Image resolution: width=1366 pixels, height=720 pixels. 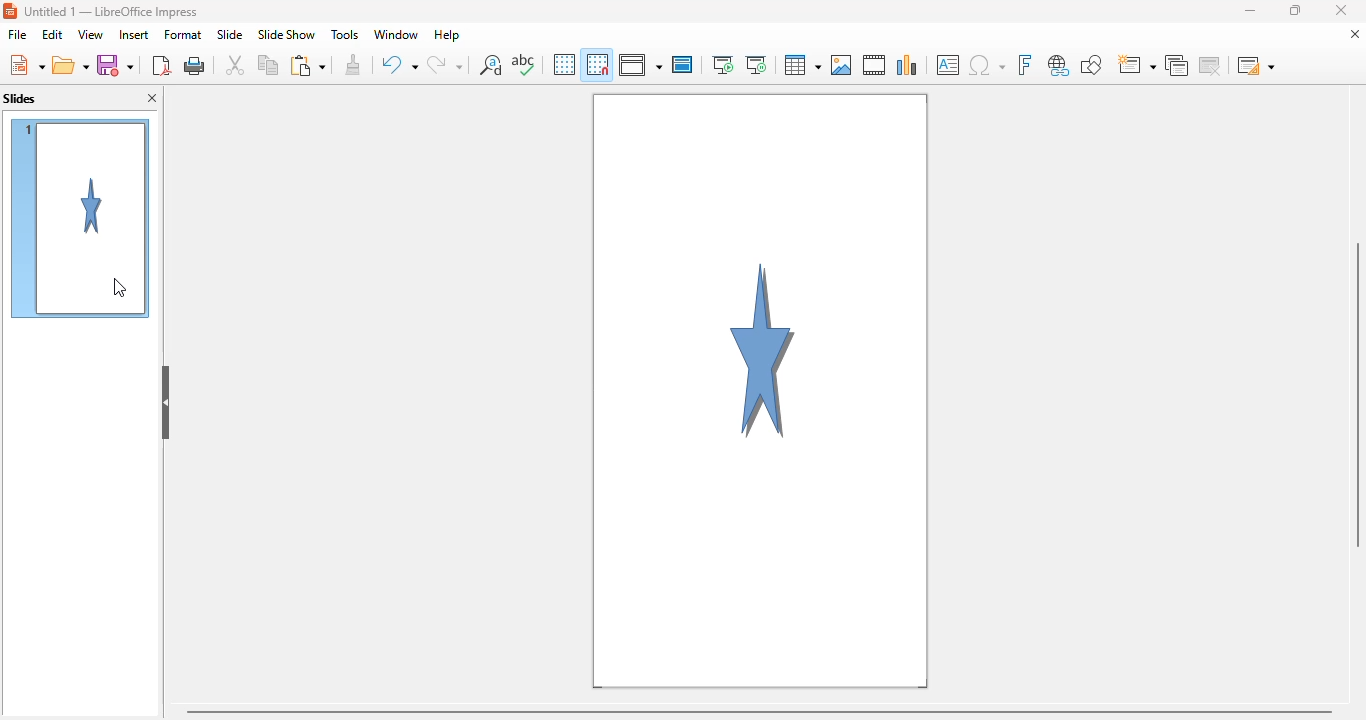 What do you see at coordinates (18, 34) in the screenshot?
I see `file` at bounding box center [18, 34].